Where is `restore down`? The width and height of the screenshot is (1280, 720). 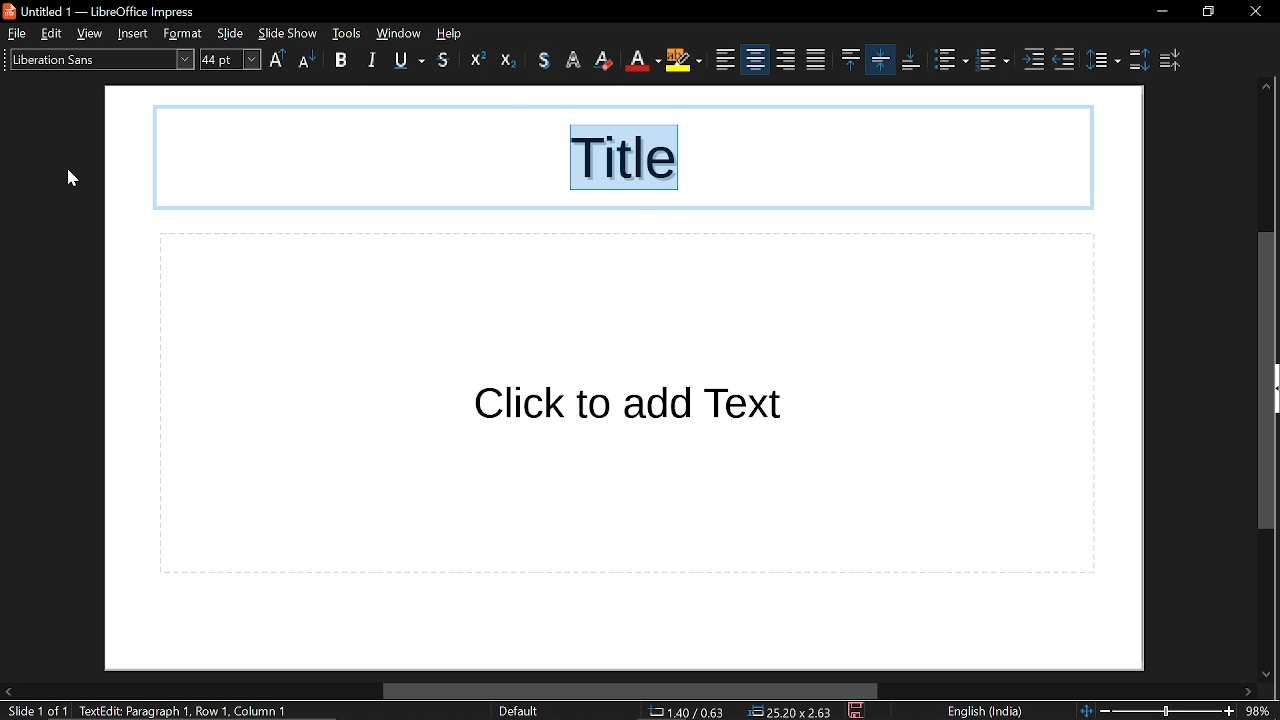 restore down is located at coordinates (1209, 12).